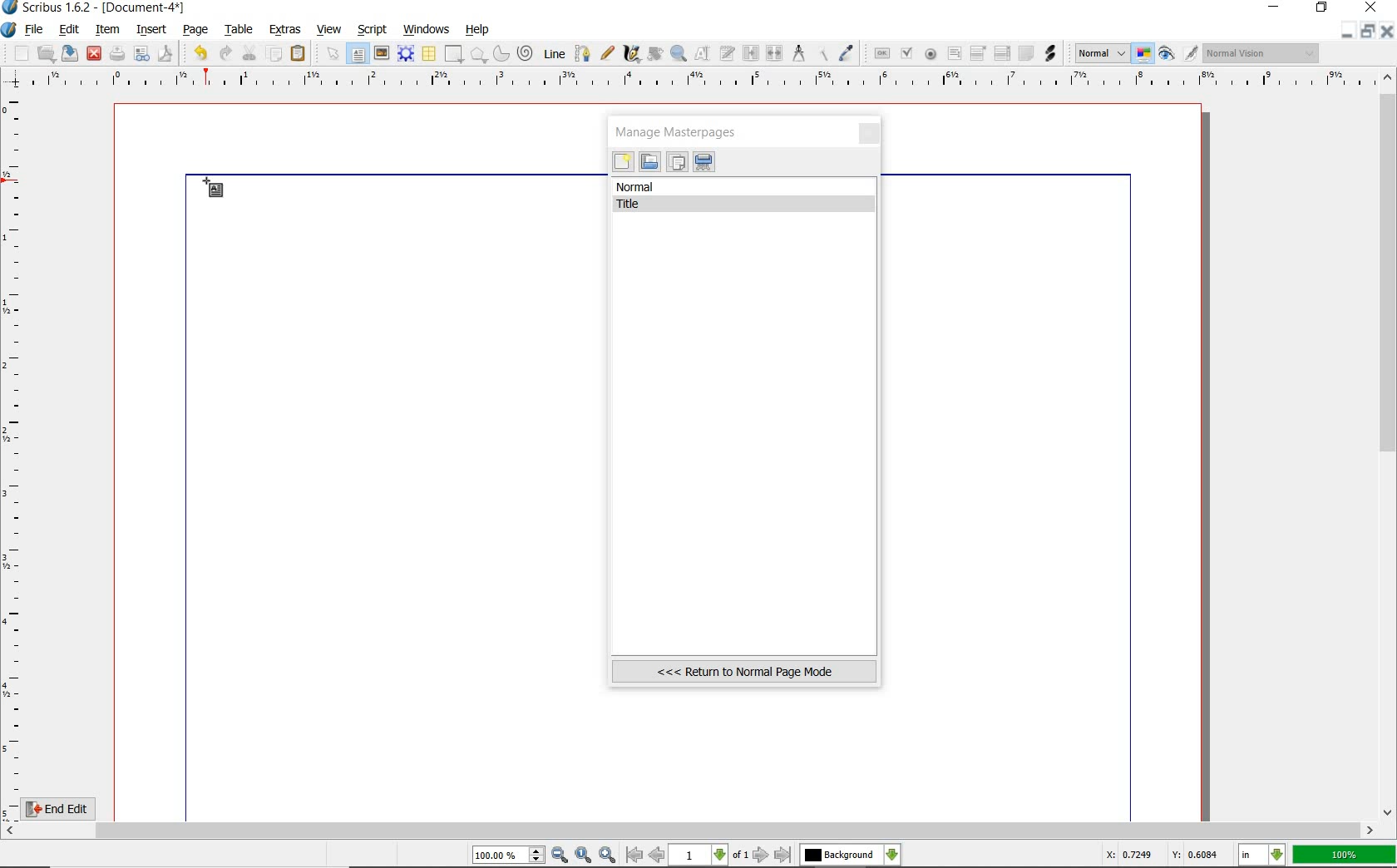 Image resolution: width=1397 pixels, height=868 pixels. I want to click on Background, so click(851, 856).